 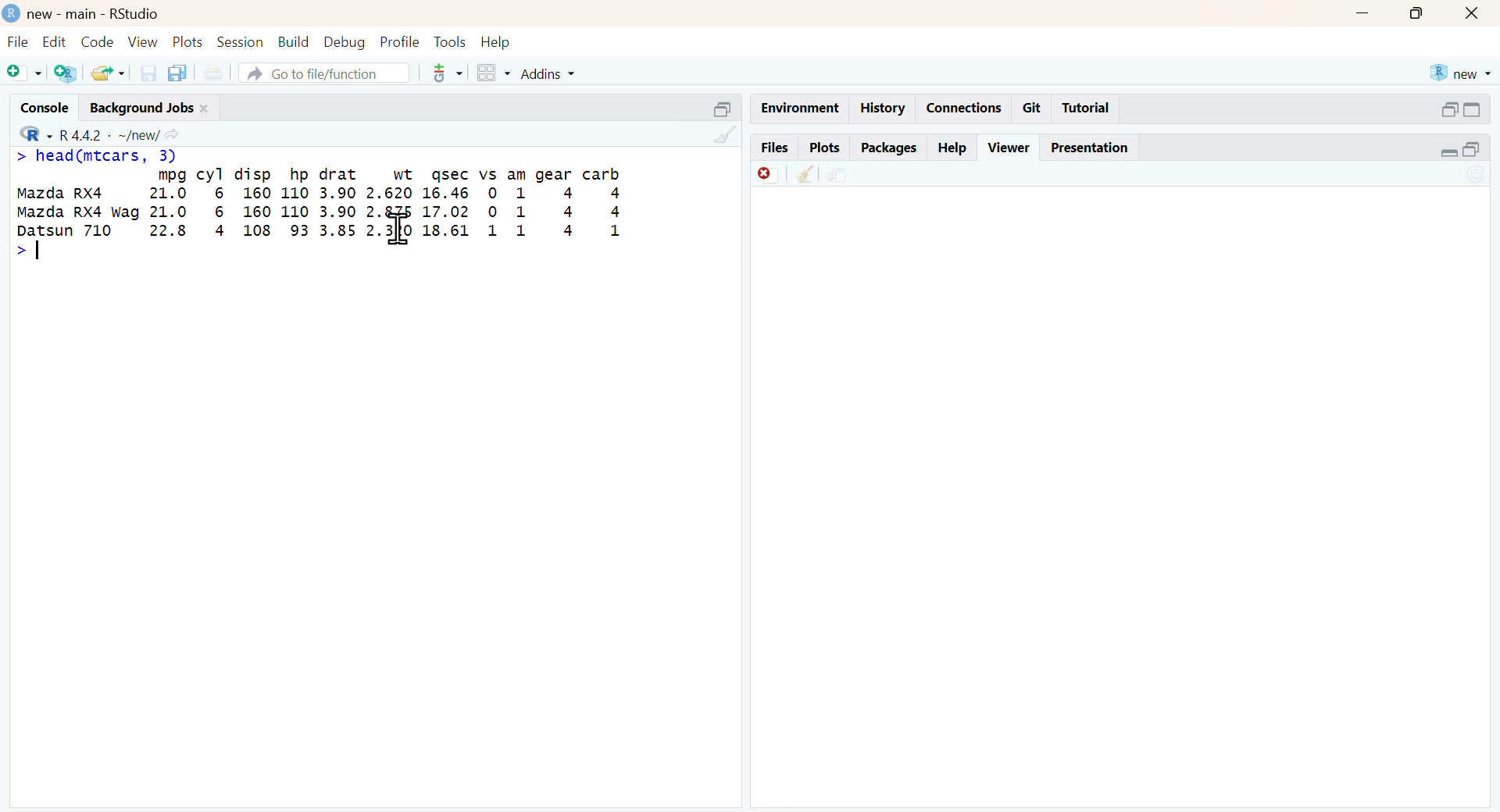 I want to click on Plots, so click(x=822, y=146).